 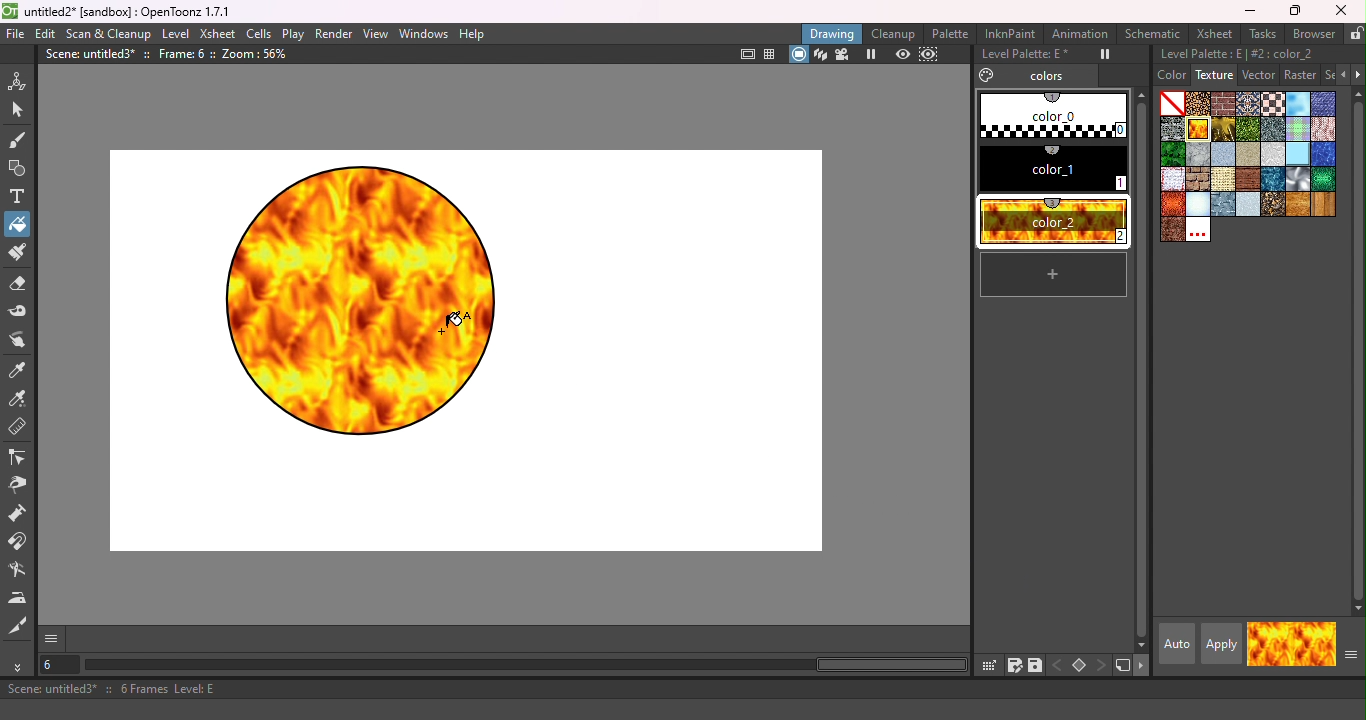 What do you see at coordinates (1324, 205) in the screenshot?
I see `woodplanks.bmp` at bounding box center [1324, 205].